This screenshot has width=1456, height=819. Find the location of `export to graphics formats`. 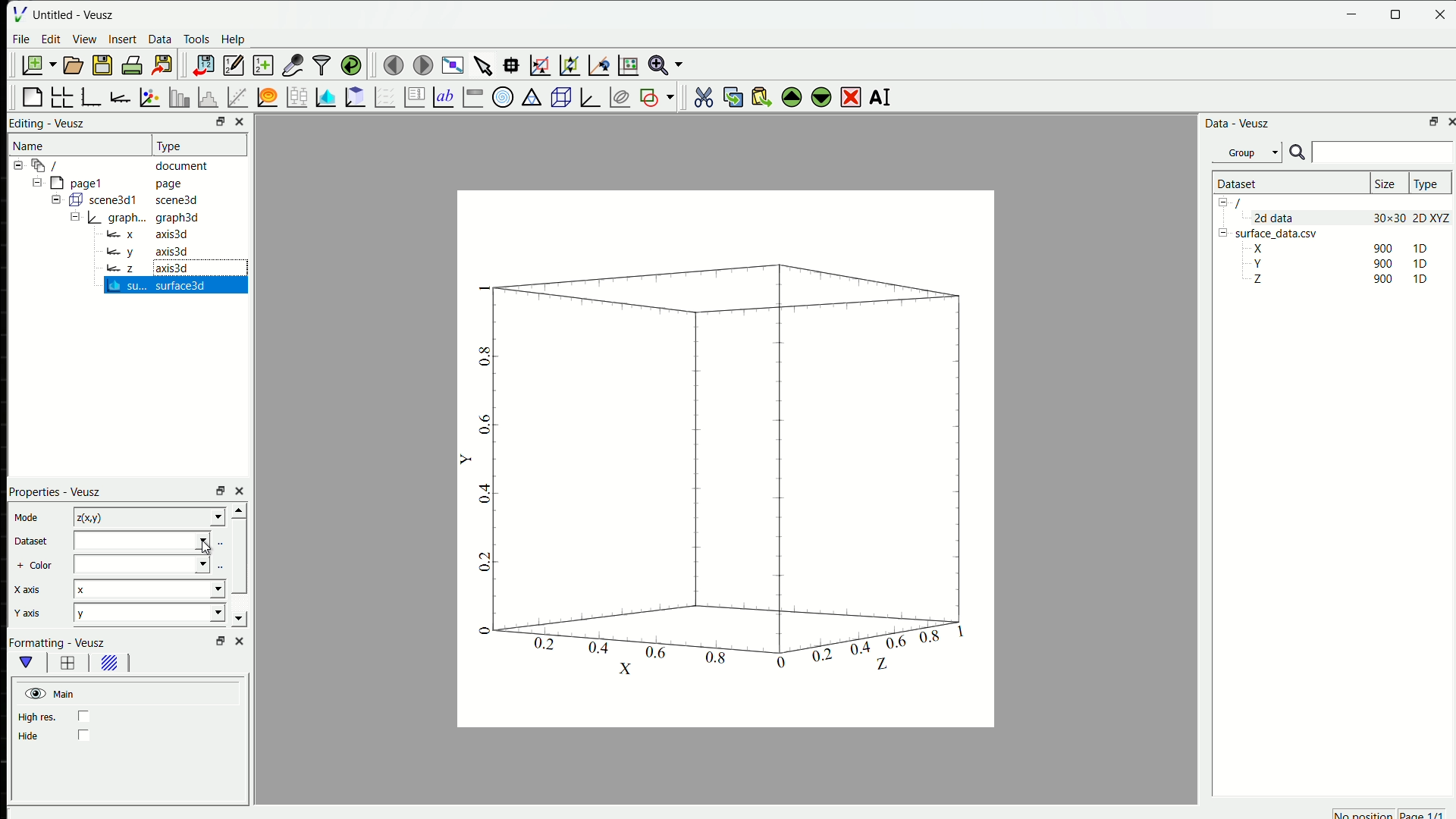

export to graphics formats is located at coordinates (163, 64).